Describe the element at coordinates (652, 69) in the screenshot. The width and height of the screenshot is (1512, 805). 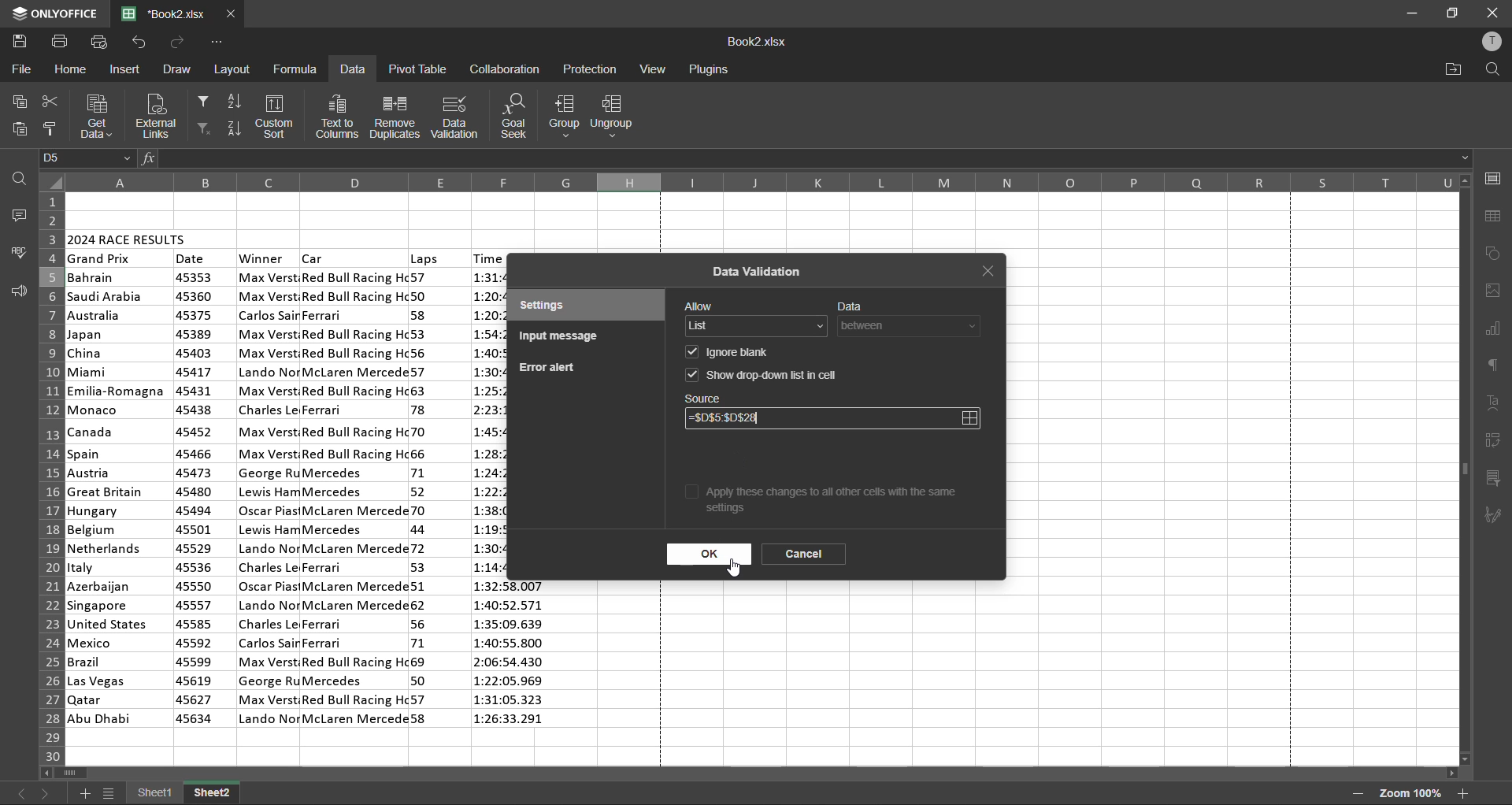
I see `view` at that location.